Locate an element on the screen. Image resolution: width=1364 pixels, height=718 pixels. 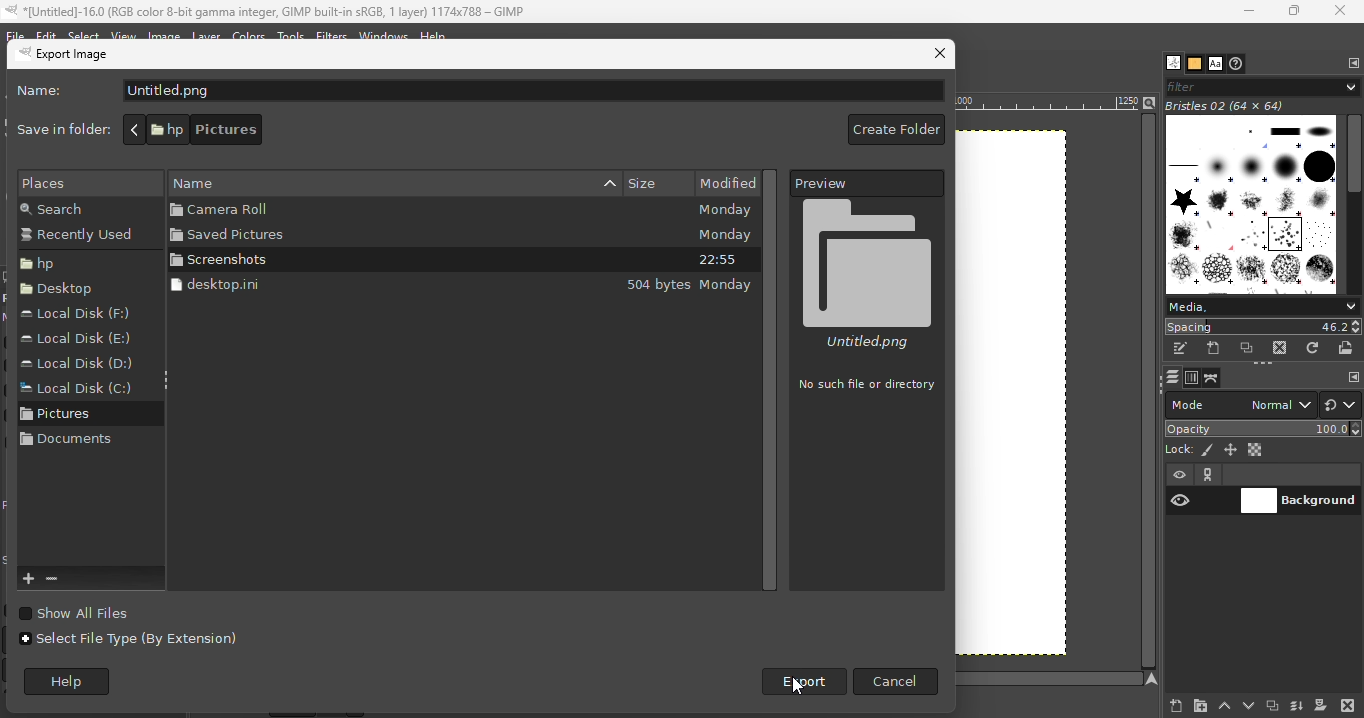
Grid is located at coordinates (1030, 399).